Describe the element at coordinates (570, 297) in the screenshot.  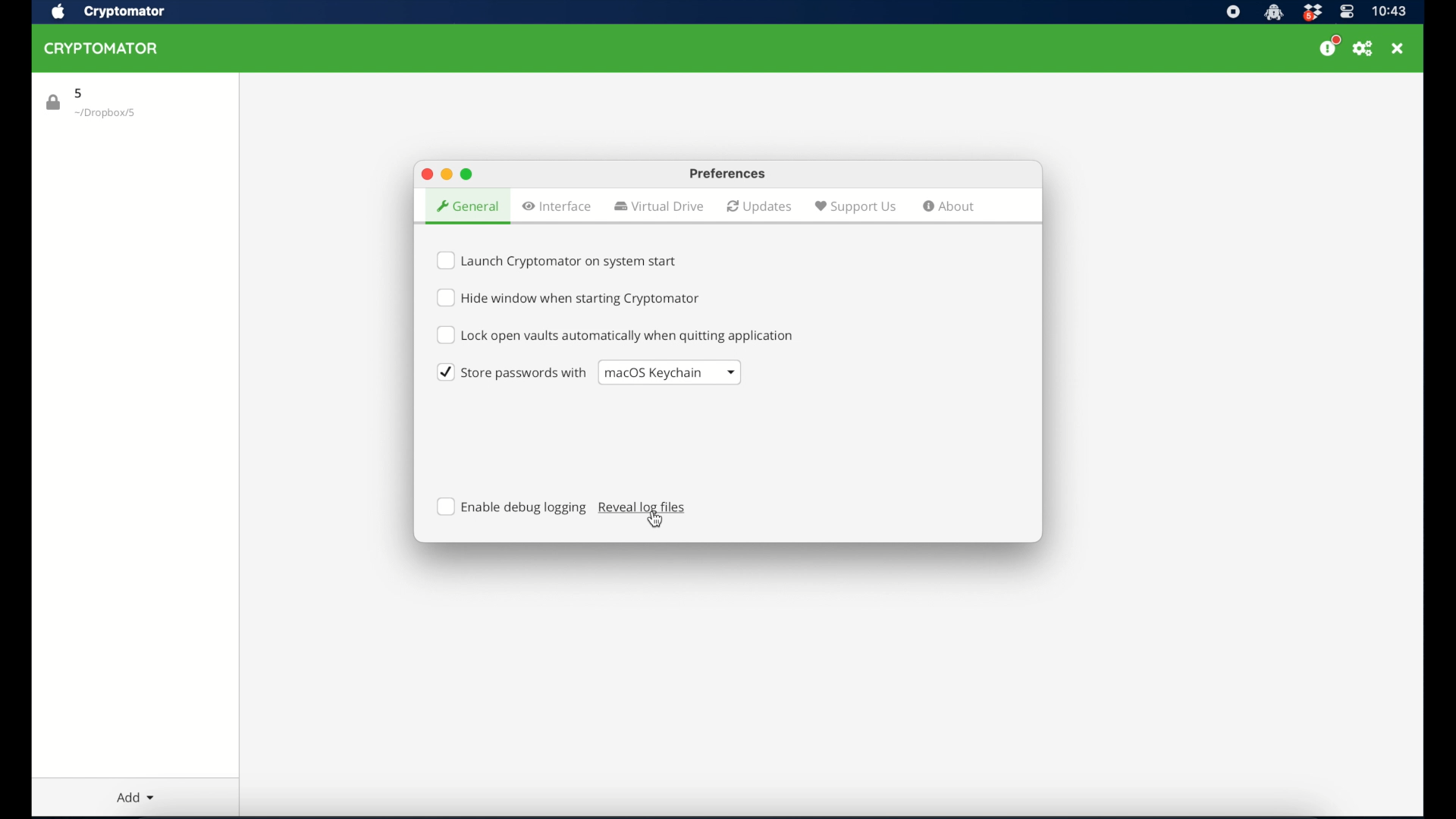
I see `hide window when starting cryptomator` at that location.